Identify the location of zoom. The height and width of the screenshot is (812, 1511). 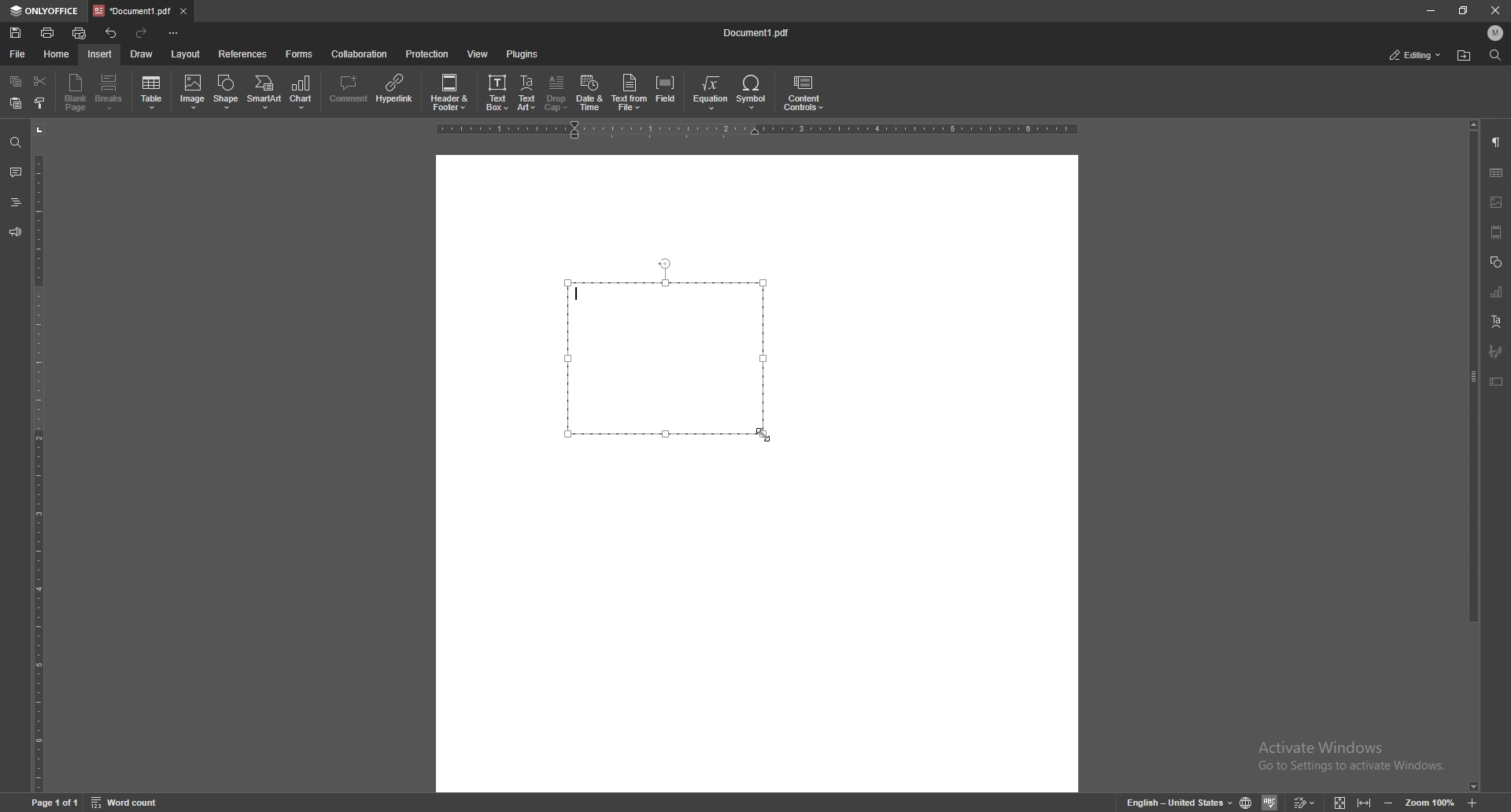
(1430, 803).